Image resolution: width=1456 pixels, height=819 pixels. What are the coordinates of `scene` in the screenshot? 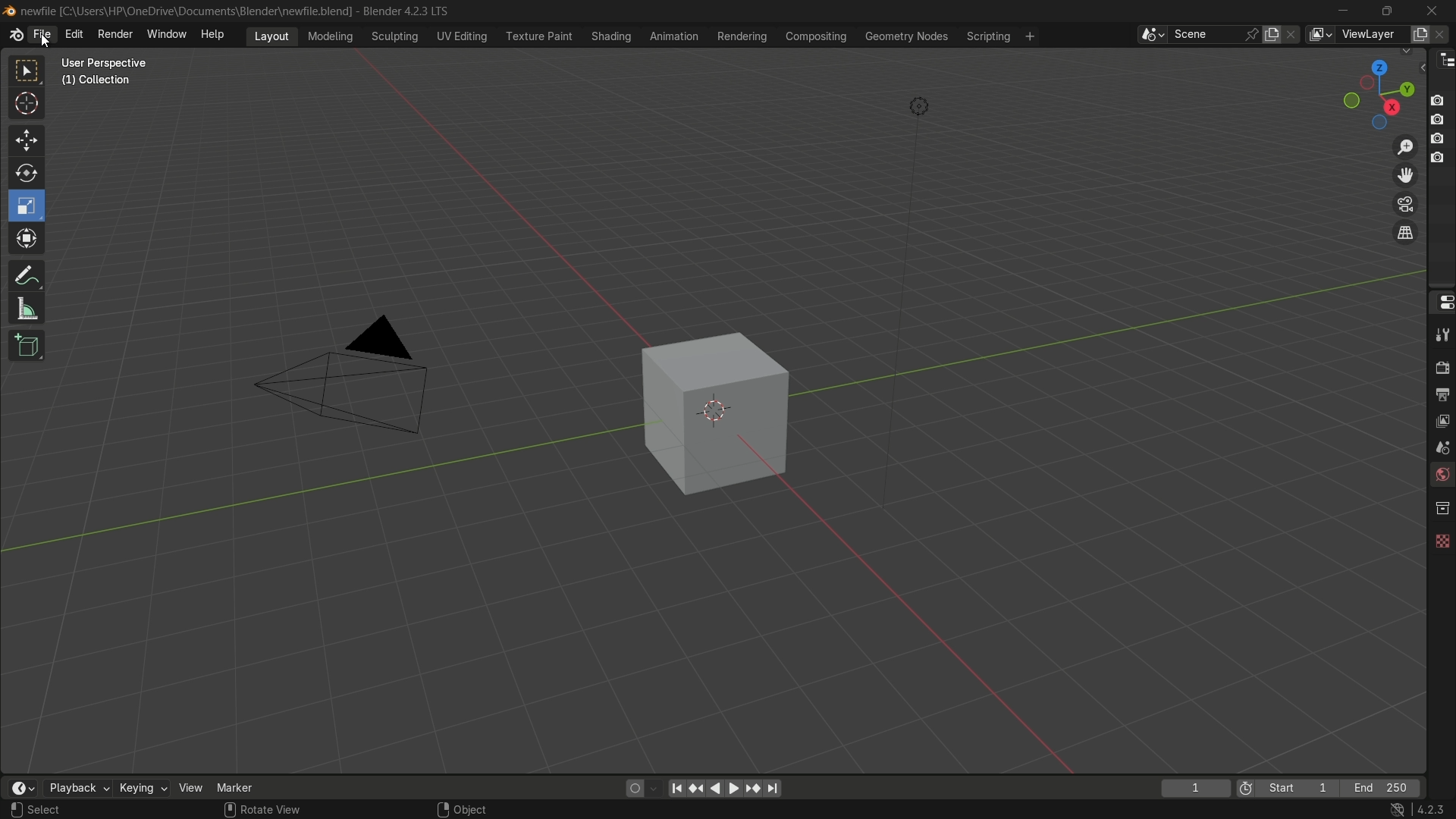 It's located at (1439, 447).